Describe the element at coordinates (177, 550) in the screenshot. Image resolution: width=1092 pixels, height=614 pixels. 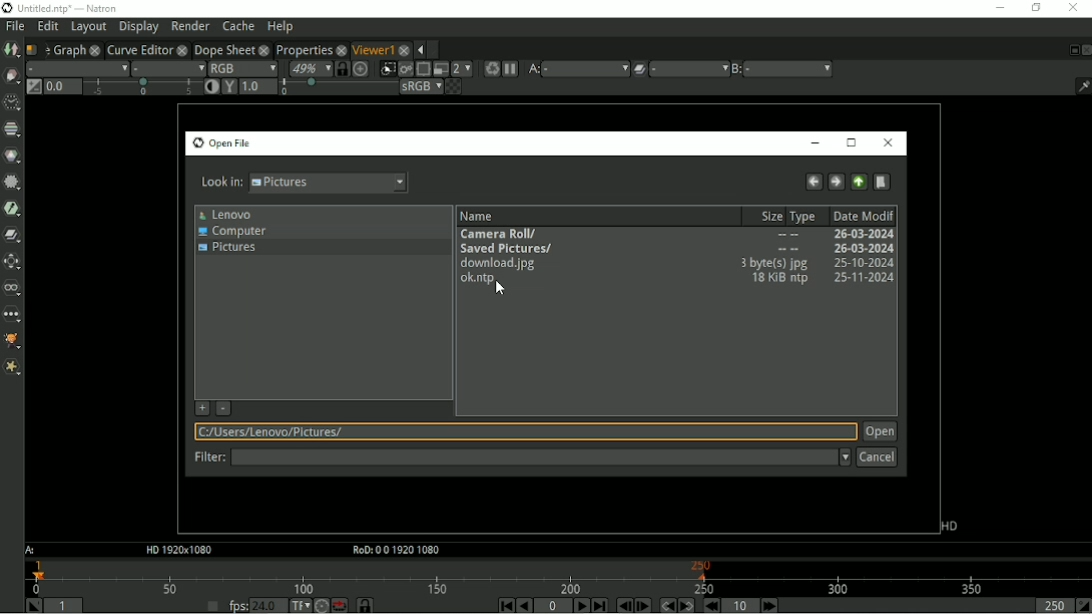
I see `HD` at that location.